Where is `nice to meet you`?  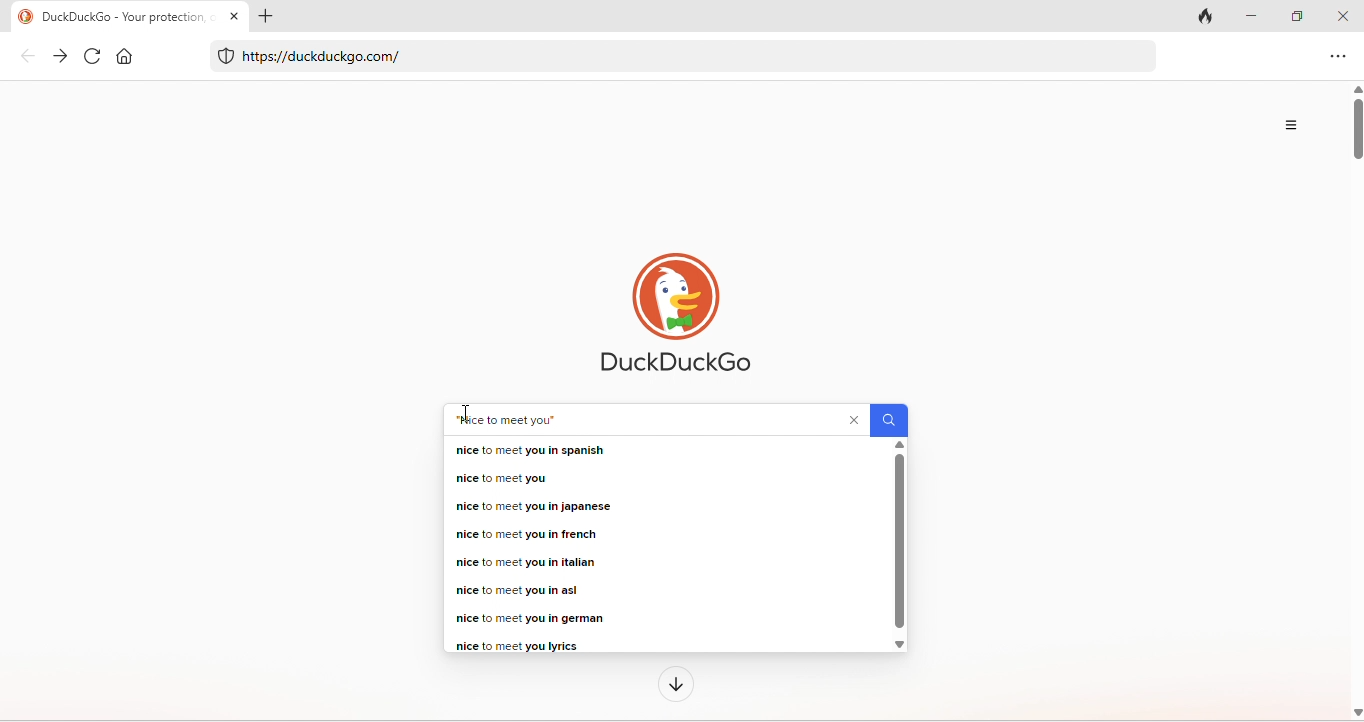 nice to meet you is located at coordinates (499, 477).